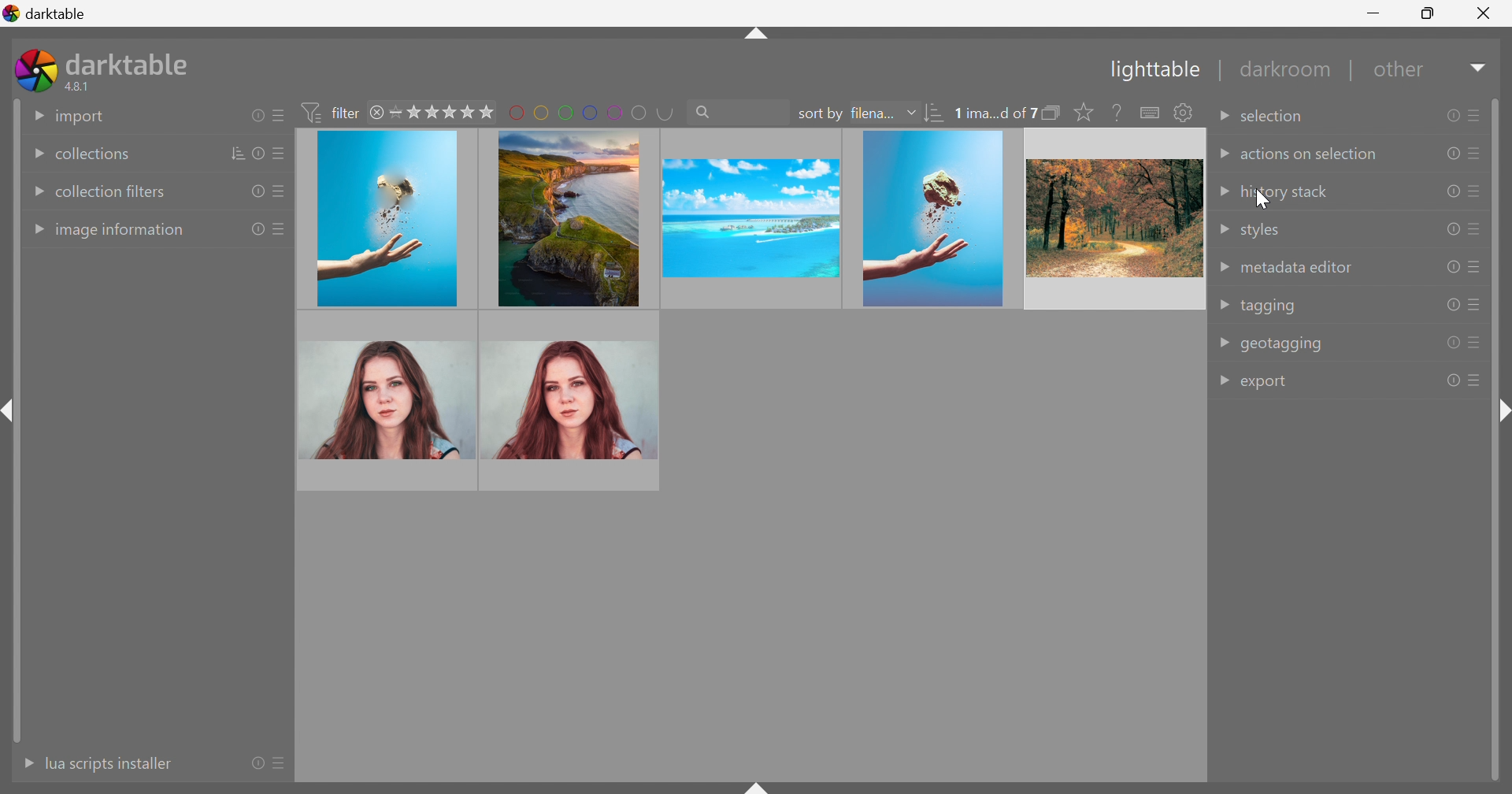  Describe the element at coordinates (112, 191) in the screenshot. I see `collection filters` at that location.